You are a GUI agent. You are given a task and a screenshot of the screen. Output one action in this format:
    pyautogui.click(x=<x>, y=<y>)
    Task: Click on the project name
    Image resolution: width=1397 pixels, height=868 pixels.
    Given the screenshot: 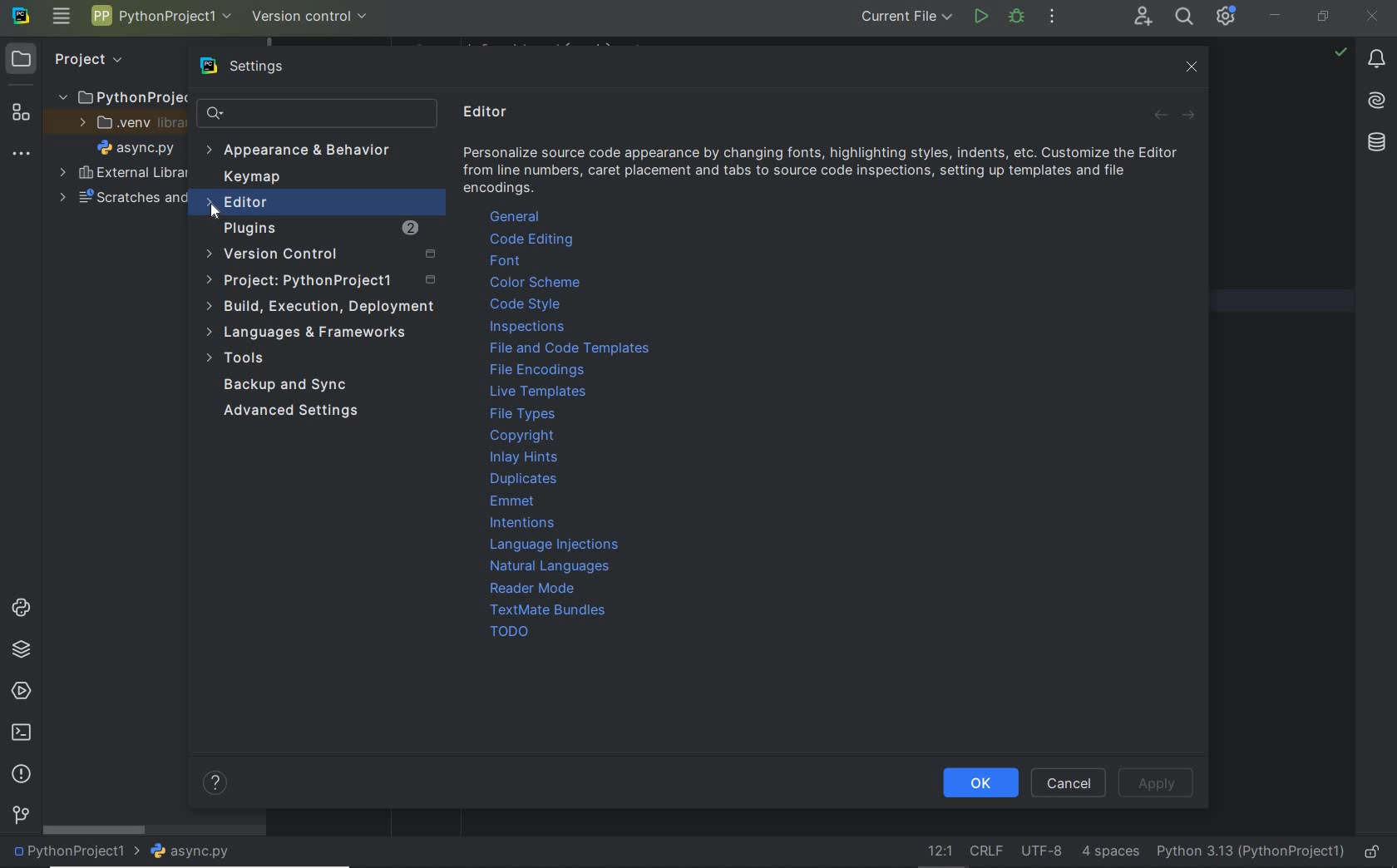 What is the action you would take?
    pyautogui.click(x=77, y=852)
    